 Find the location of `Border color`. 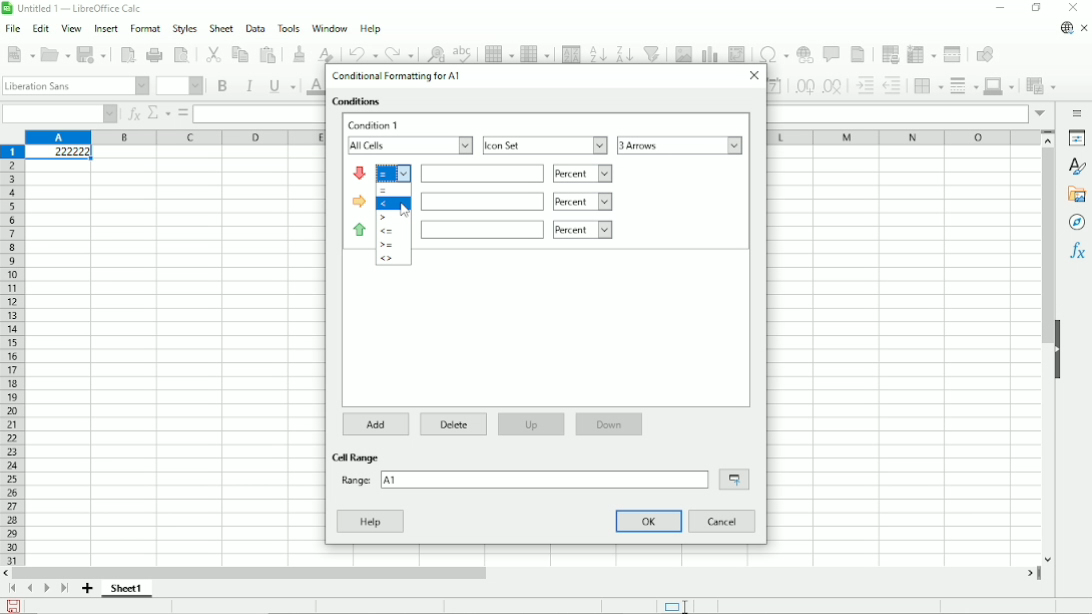

Border color is located at coordinates (1001, 86).